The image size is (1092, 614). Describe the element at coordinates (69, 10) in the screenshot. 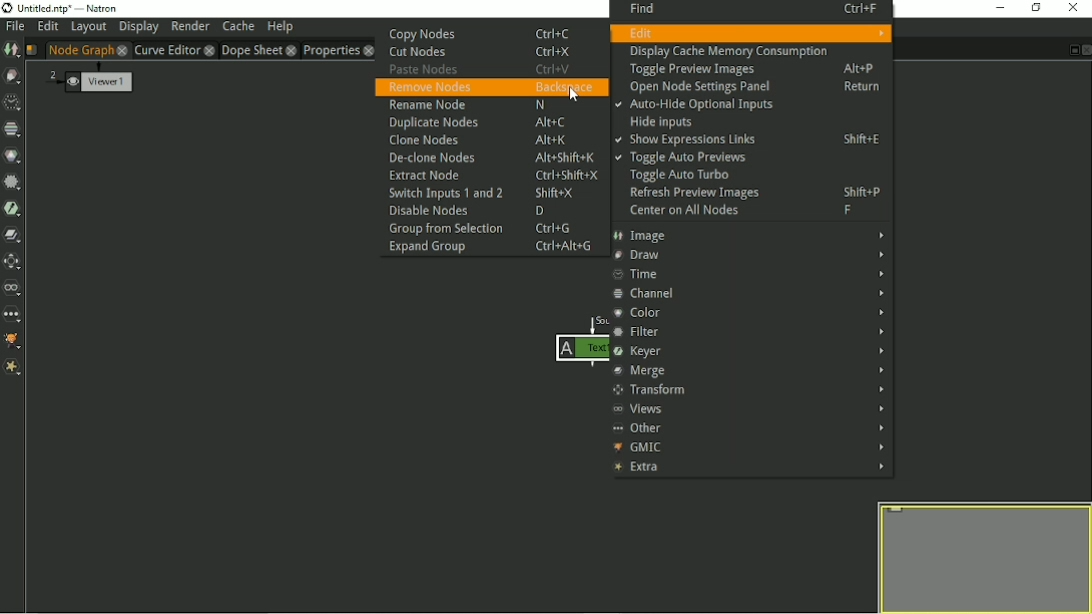

I see `title` at that location.